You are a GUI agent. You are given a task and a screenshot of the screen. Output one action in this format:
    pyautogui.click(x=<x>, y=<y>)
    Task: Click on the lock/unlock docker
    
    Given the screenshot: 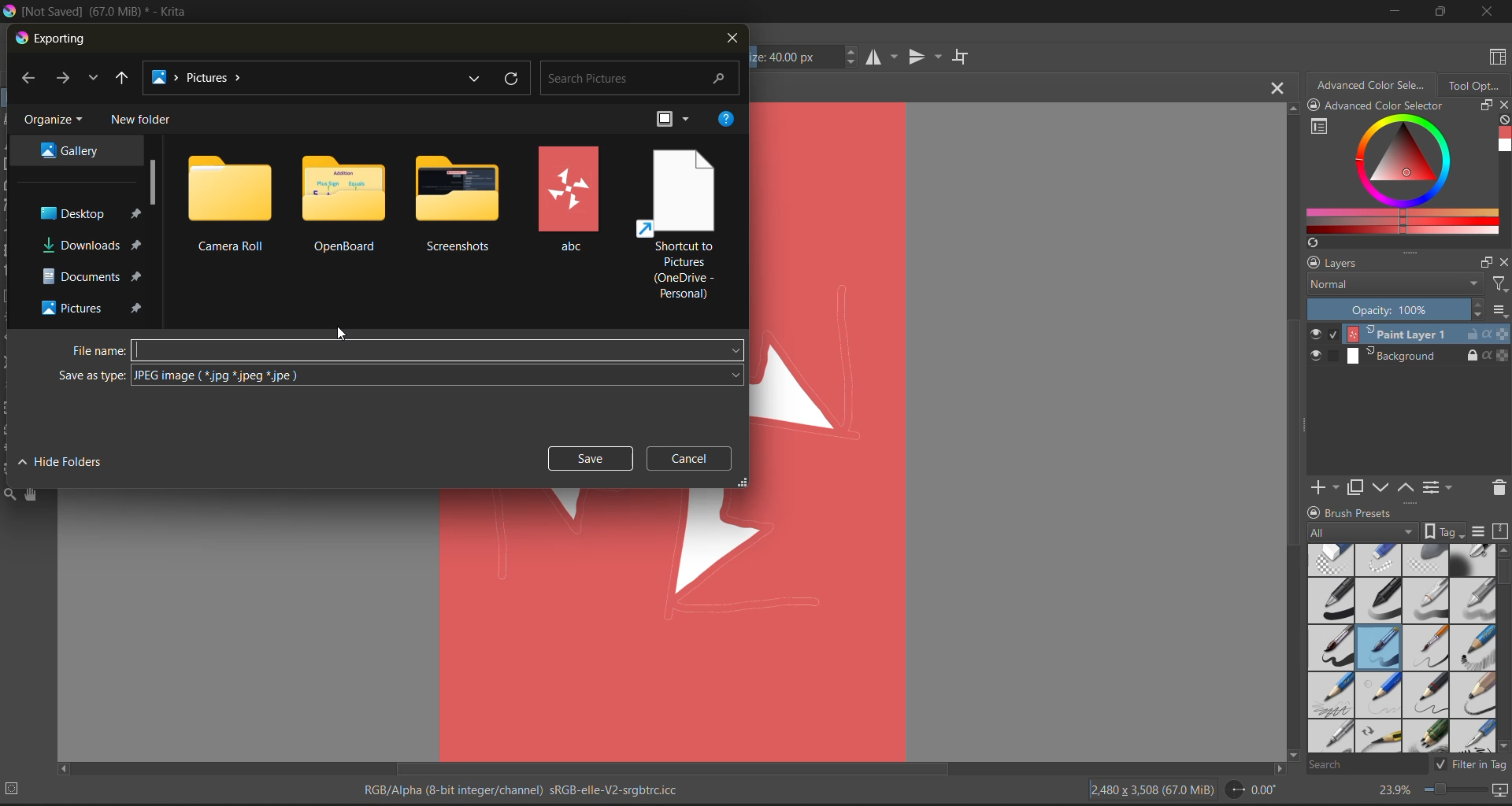 What is the action you would take?
    pyautogui.click(x=1317, y=106)
    